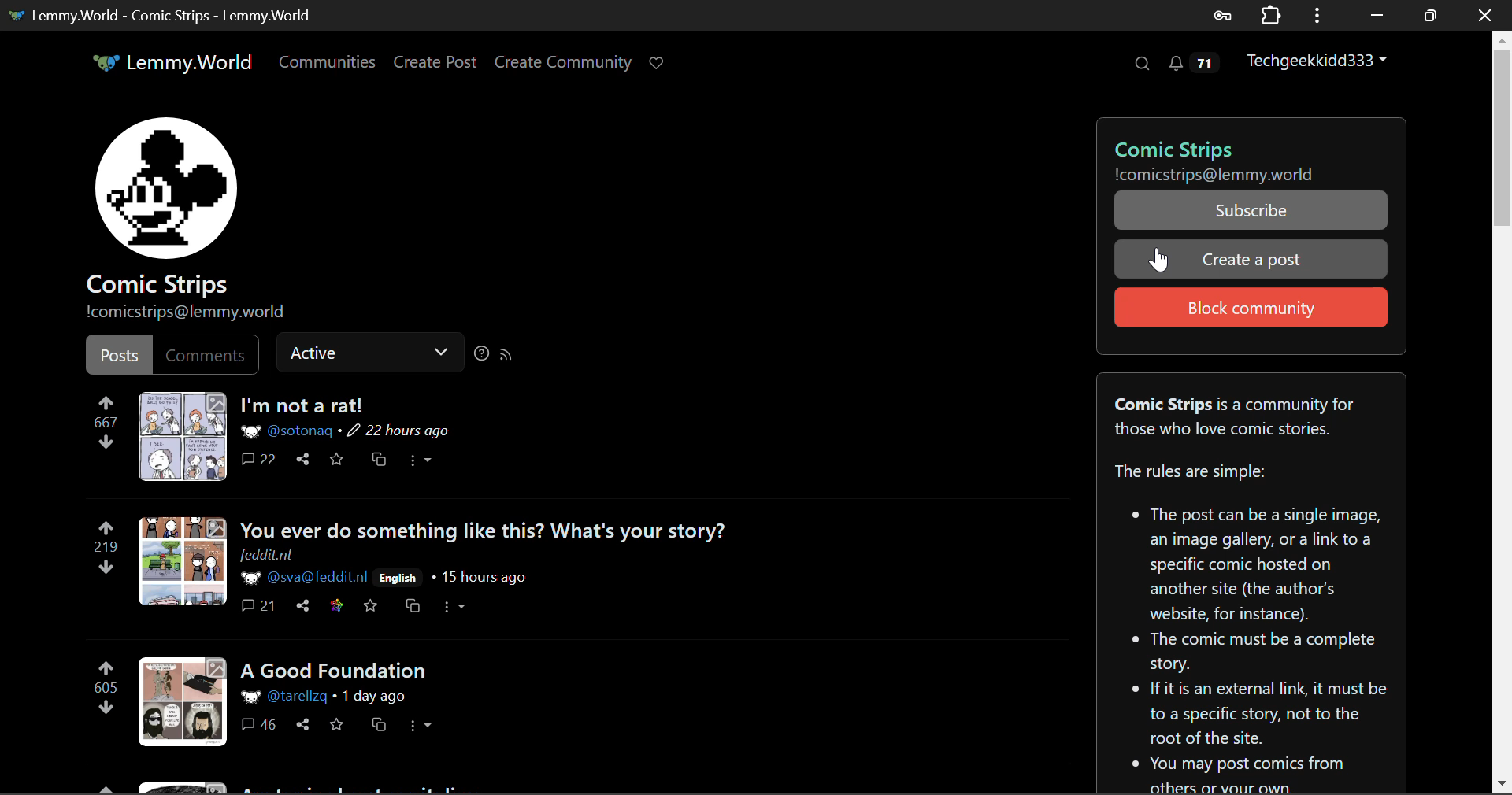 This screenshot has width=1512, height=795. What do you see at coordinates (1315, 15) in the screenshot?
I see `Options` at bounding box center [1315, 15].